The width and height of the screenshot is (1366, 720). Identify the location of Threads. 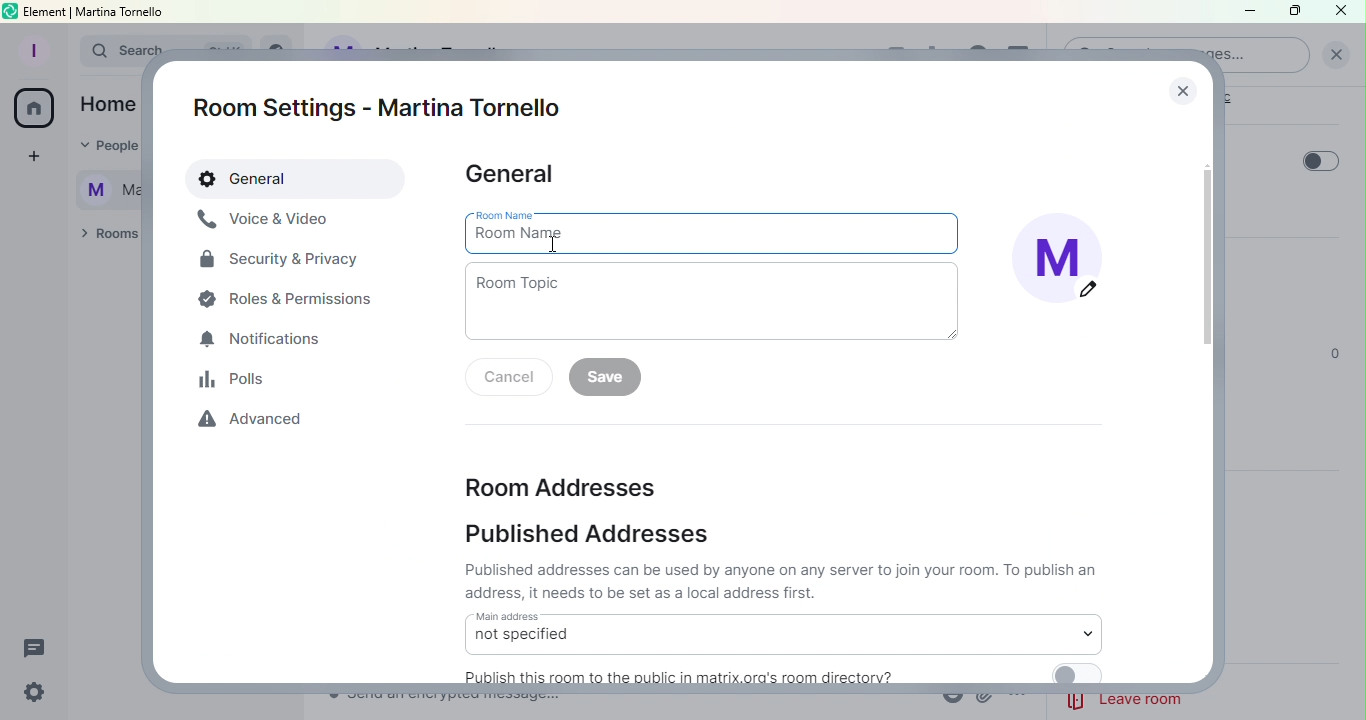
(39, 644).